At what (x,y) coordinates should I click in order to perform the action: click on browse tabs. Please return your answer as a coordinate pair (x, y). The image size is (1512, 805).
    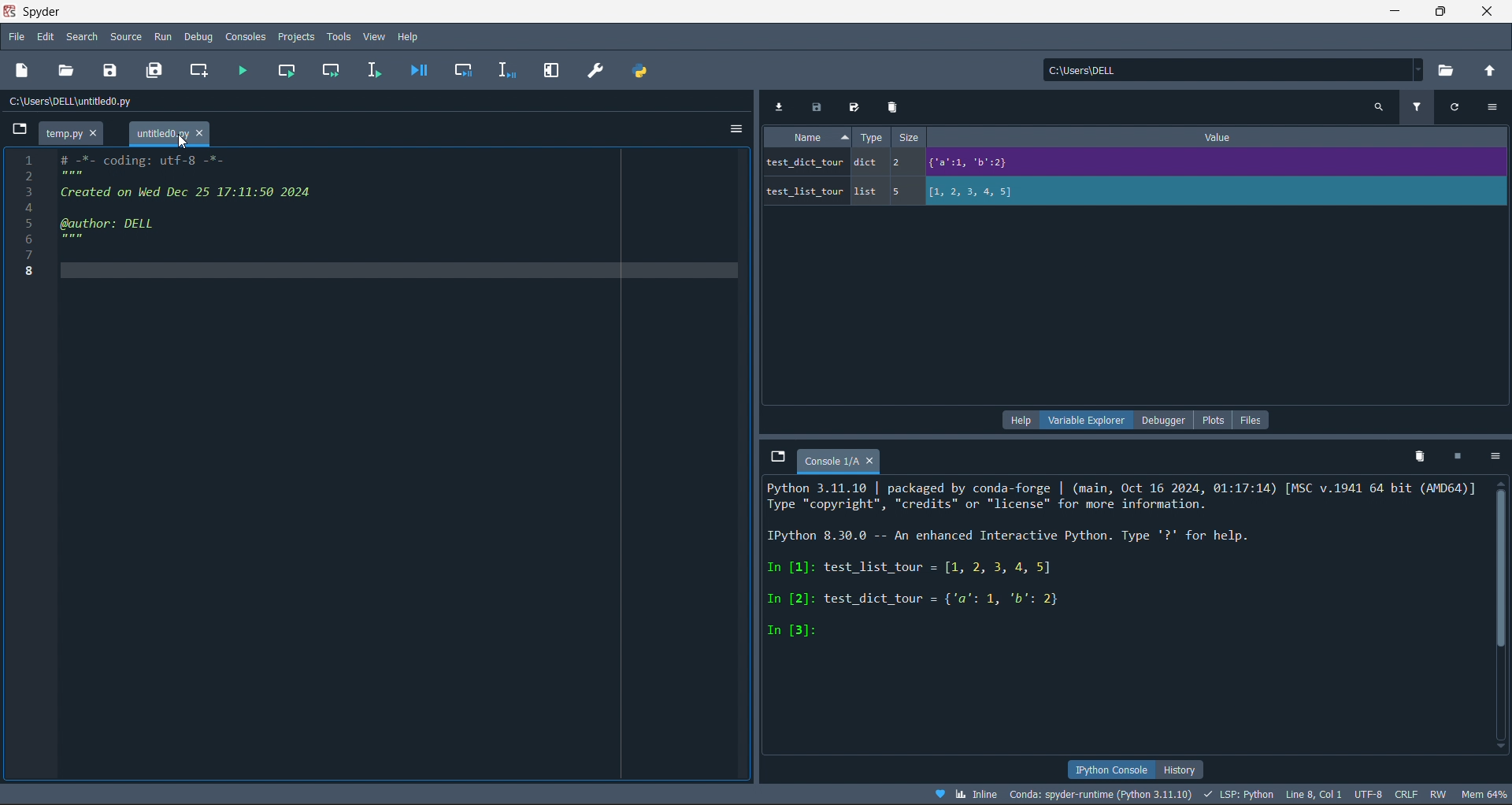
    Looking at the image, I should click on (17, 127).